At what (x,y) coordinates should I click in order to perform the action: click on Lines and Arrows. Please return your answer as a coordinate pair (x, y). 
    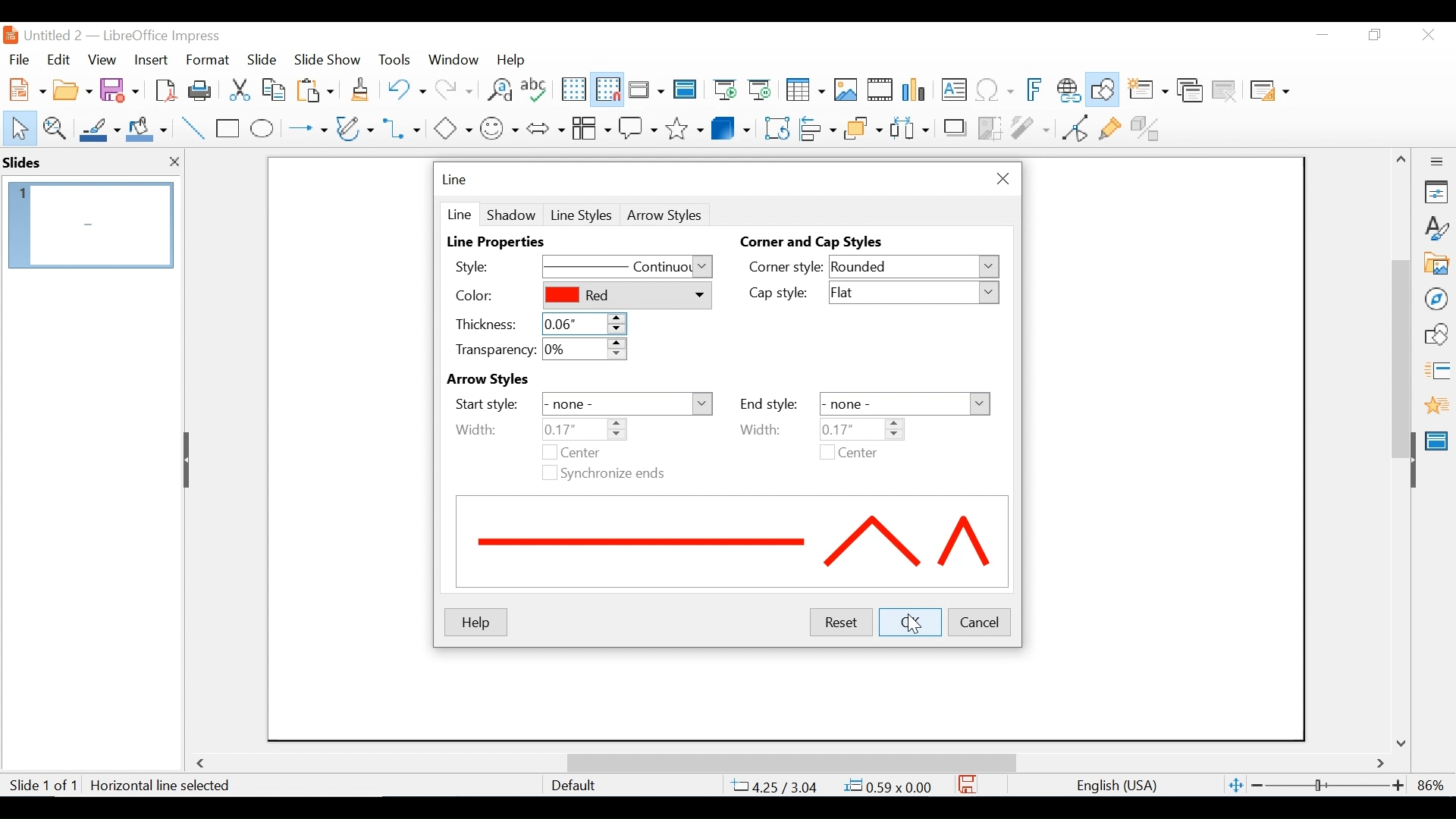
    Looking at the image, I should click on (304, 129).